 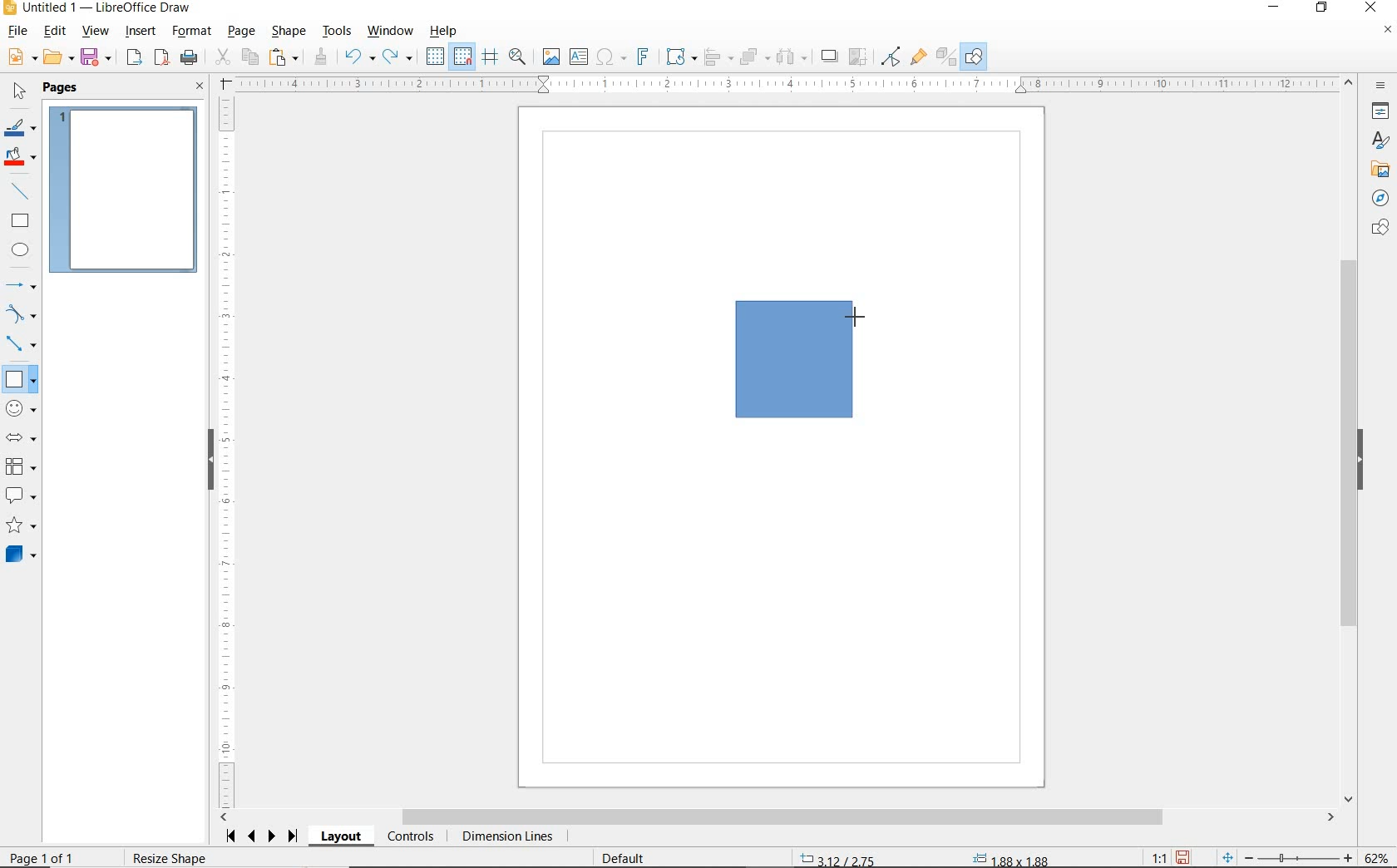 I want to click on Resize shape, so click(x=180, y=860).